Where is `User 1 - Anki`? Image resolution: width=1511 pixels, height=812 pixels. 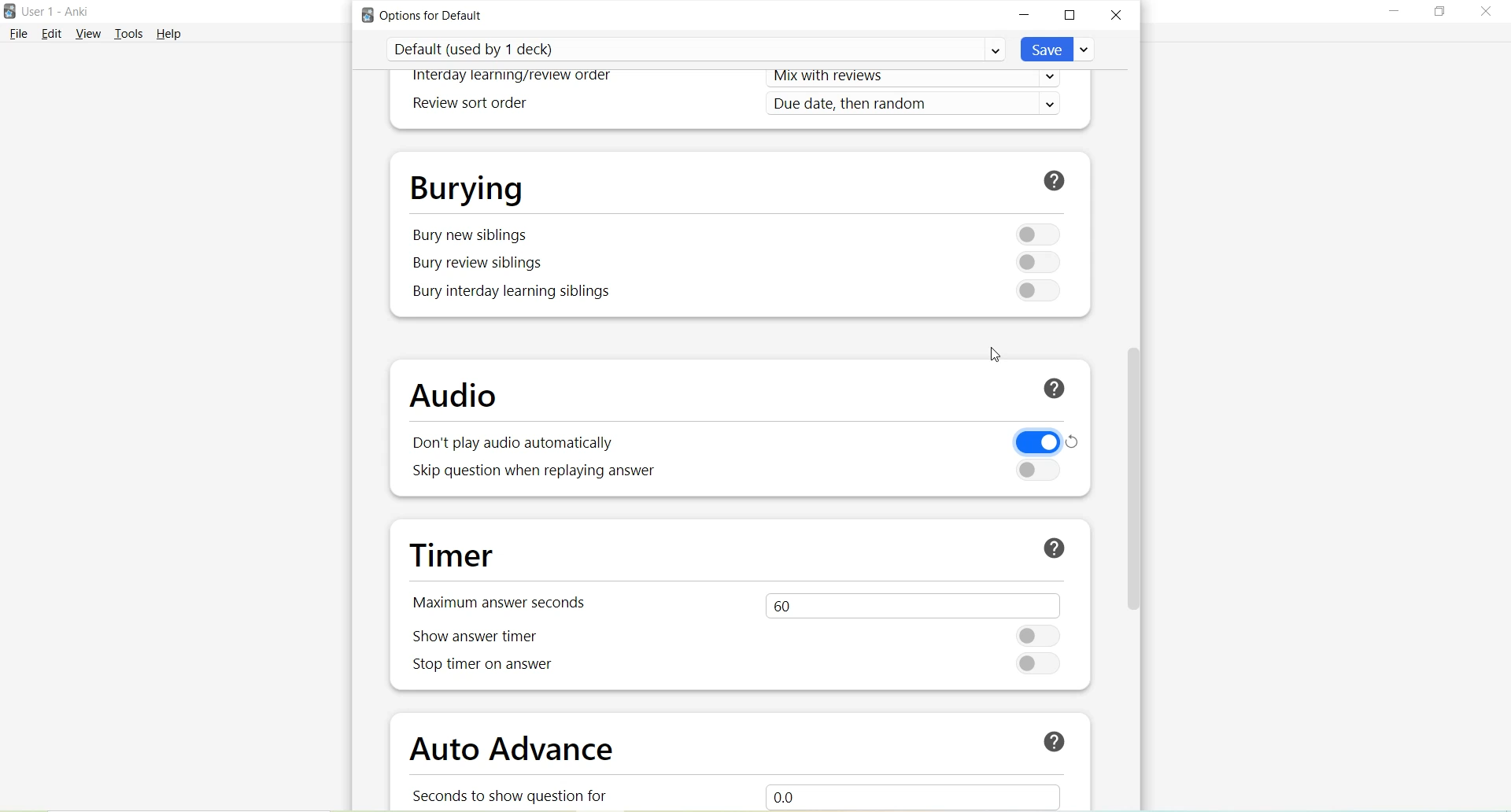 User 1 - Anki is located at coordinates (55, 11).